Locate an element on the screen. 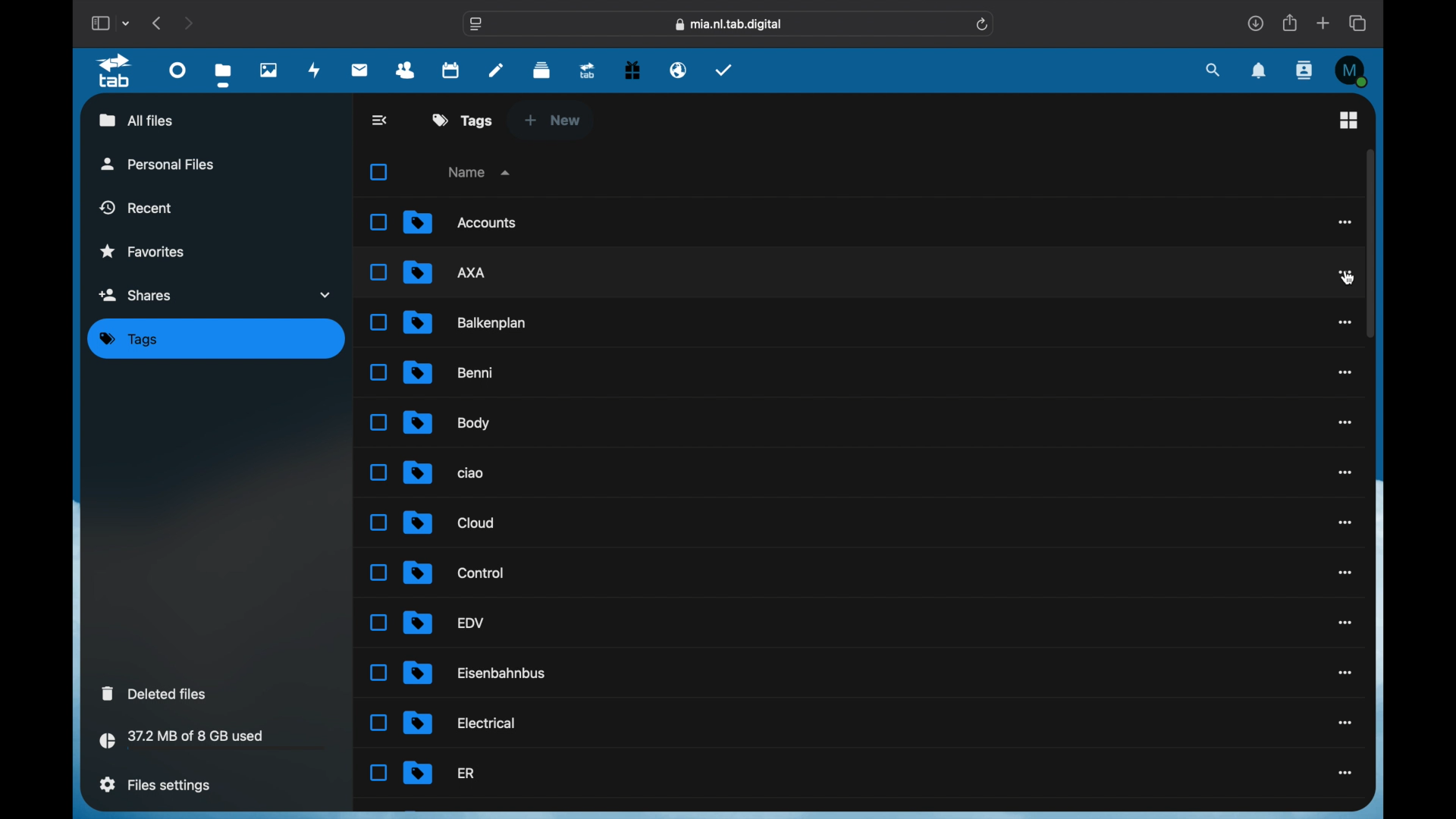  notes is located at coordinates (496, 70).